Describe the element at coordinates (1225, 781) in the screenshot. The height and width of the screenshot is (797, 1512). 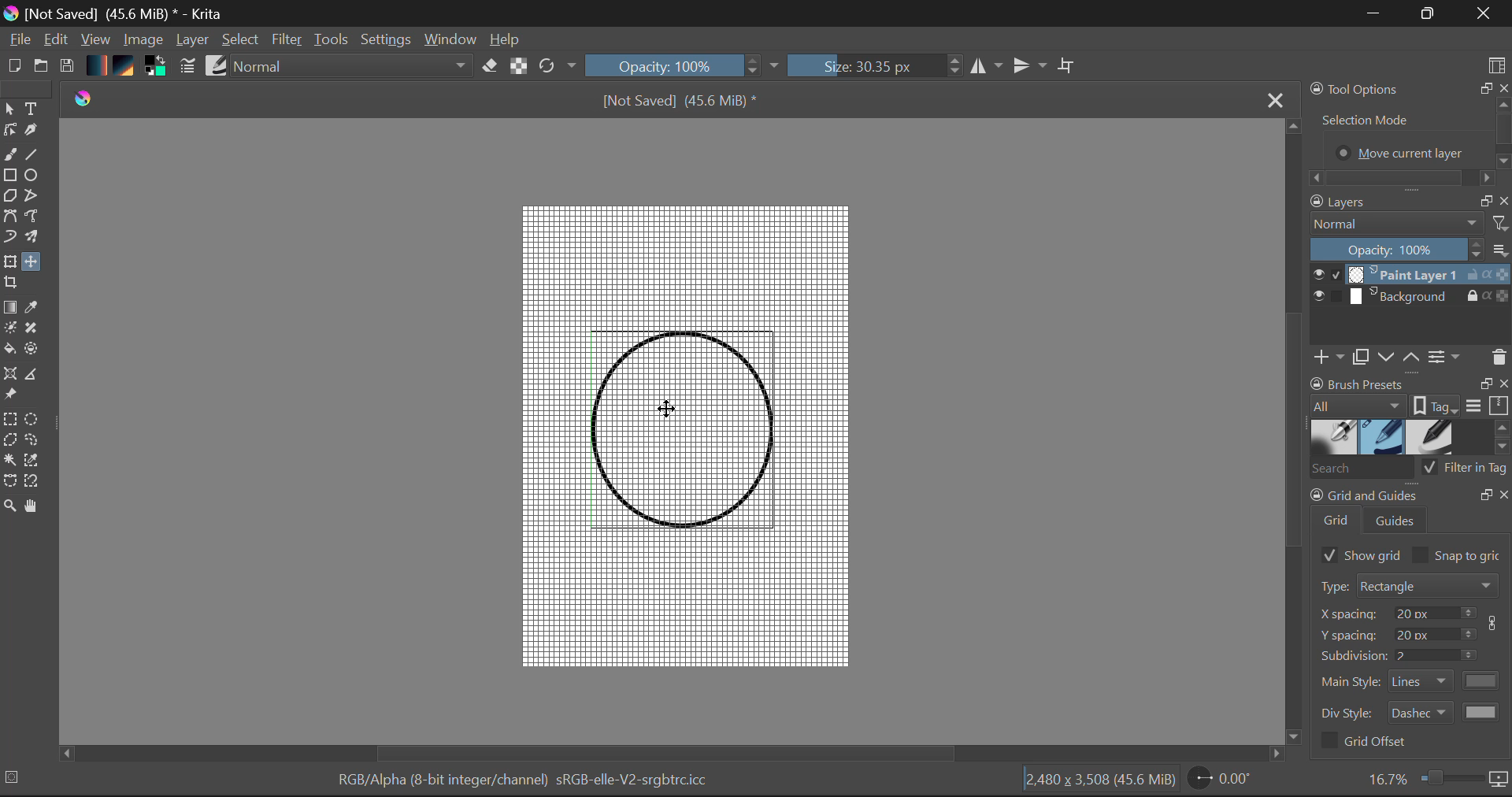
I see `Page Rotation` at that location.